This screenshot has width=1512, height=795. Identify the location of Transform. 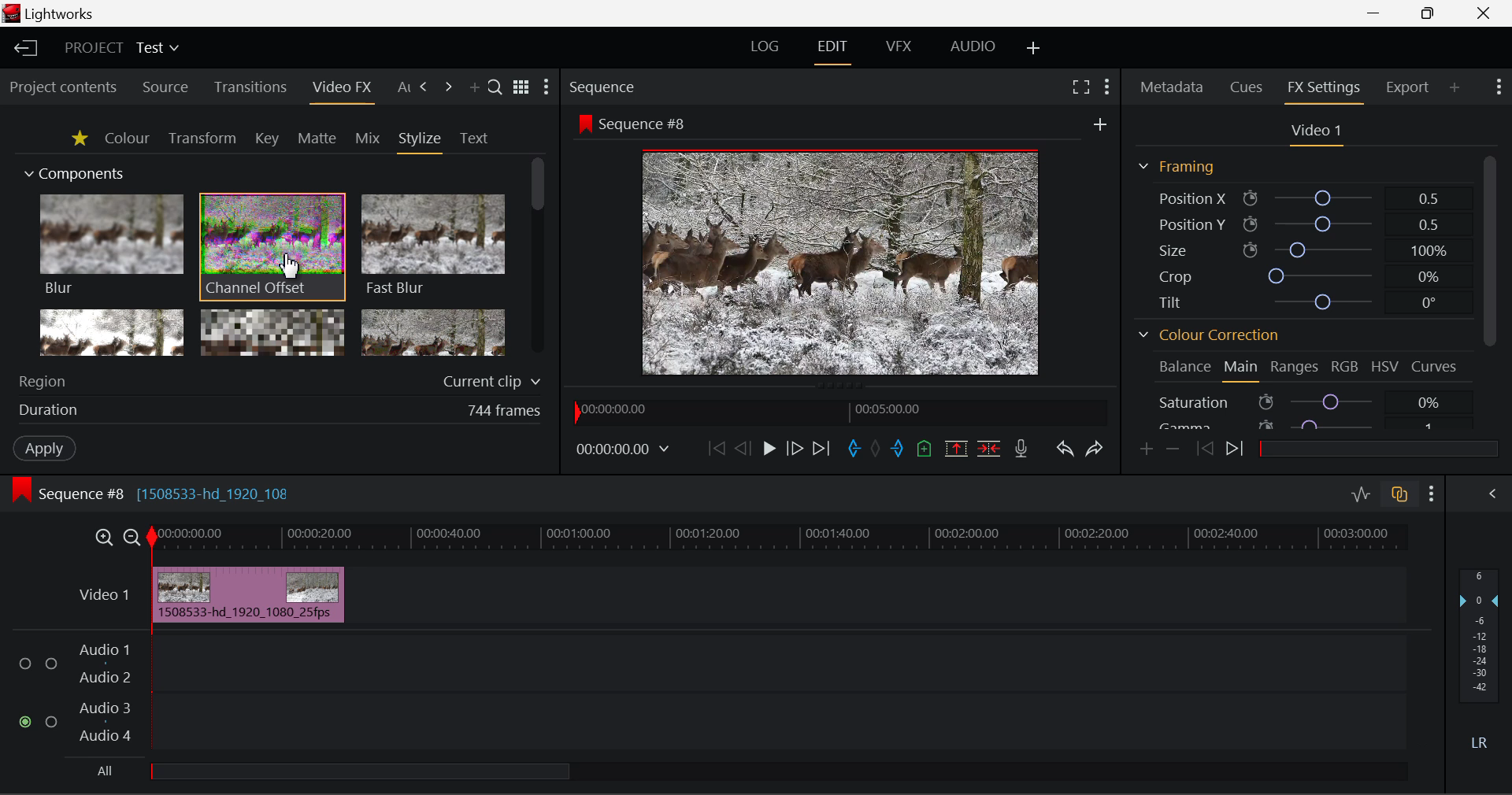
(202, 139).